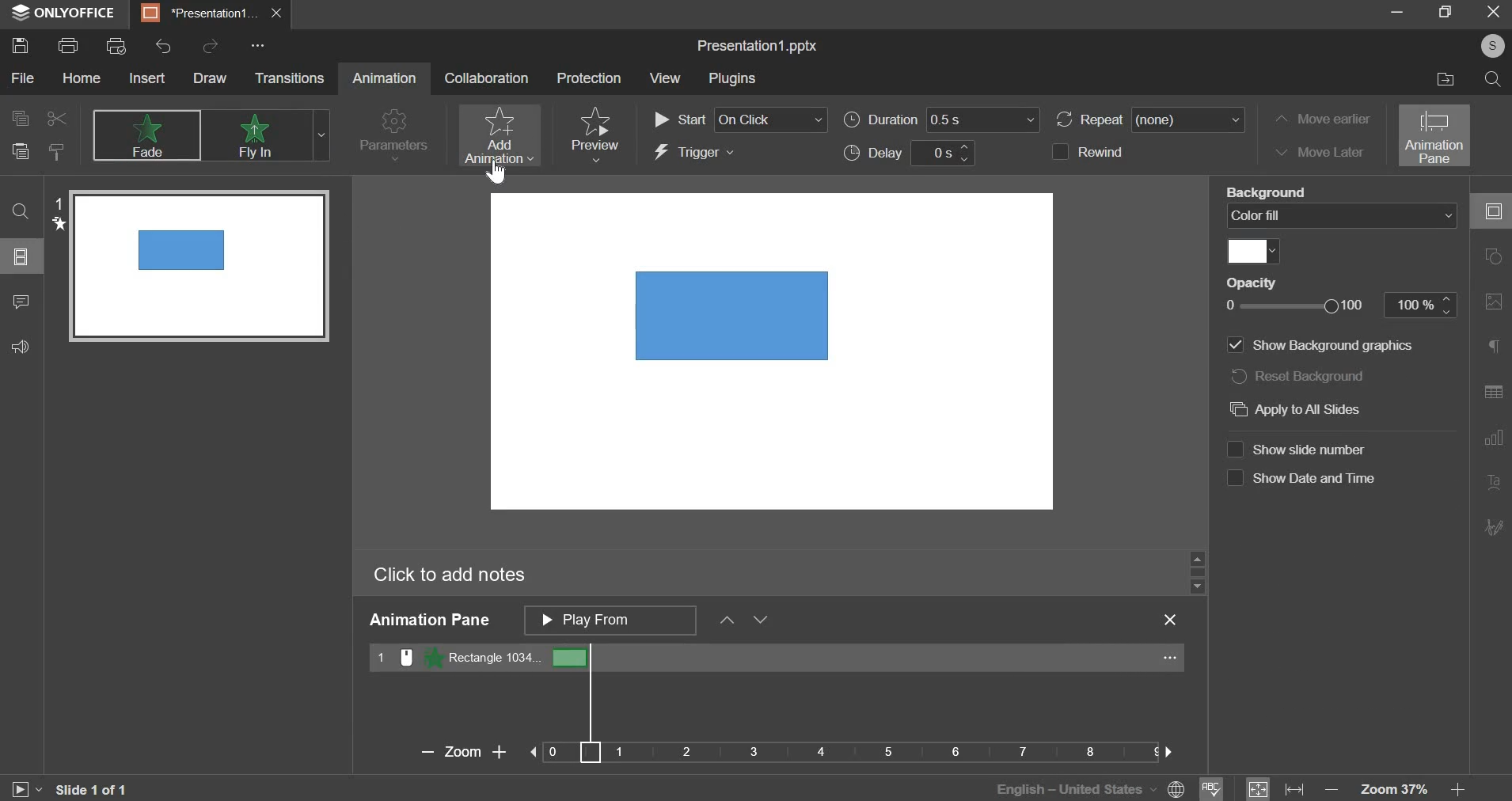 This screenshot has width=1512, height=801. Describe the element at coordinates (1442, 14) in the screenshot. I see `maximize` at that location.